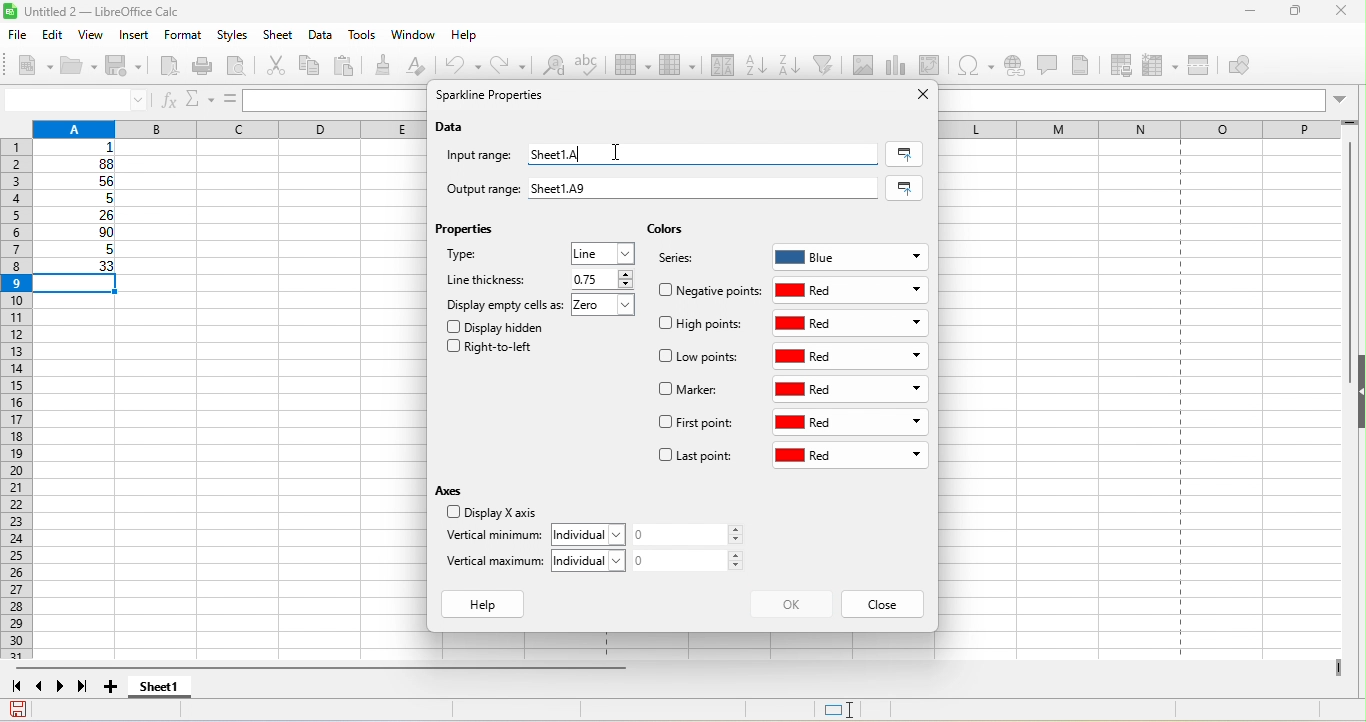 This screenshot has width=1366, height=722. Describe the element at coordinates (169, 101) in the screenshot. I see `function wizard` at that location.